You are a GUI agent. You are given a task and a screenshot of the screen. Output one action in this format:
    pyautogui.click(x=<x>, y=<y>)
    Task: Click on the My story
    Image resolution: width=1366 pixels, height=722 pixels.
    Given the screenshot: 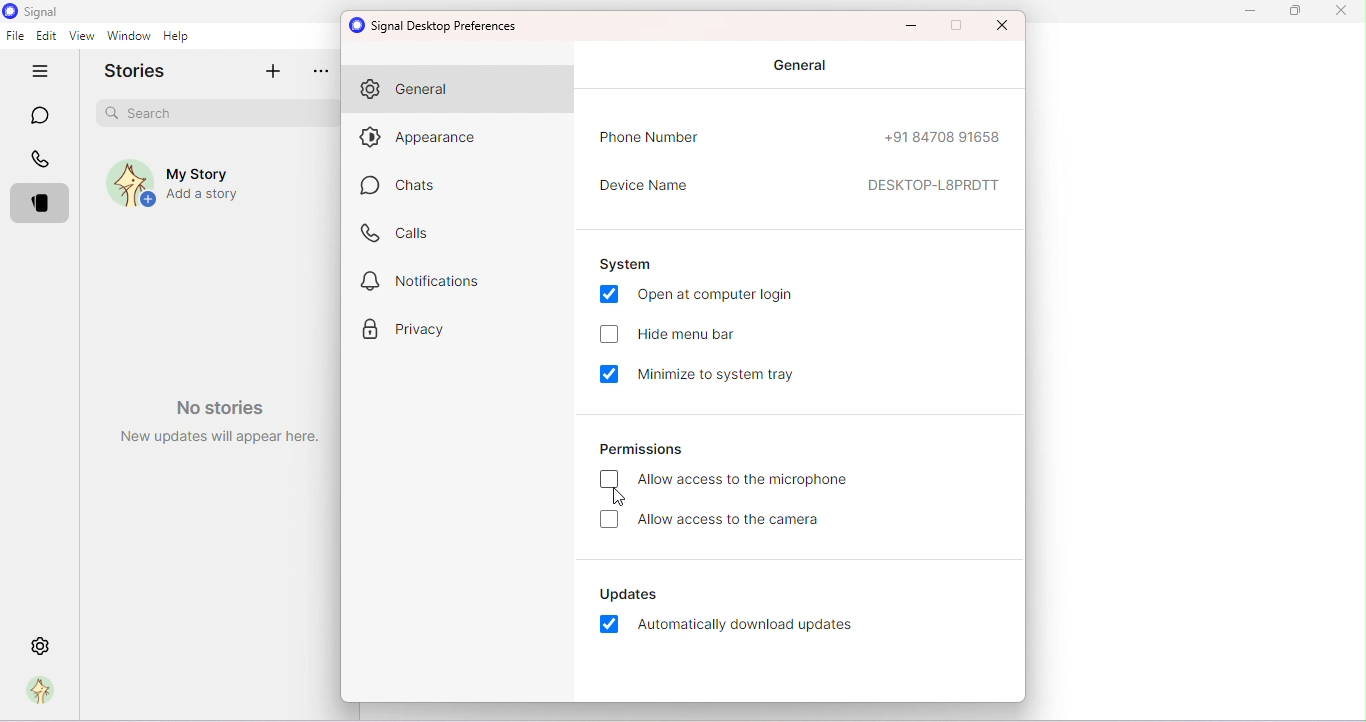 What is the action you would take?
    pyautogui.click(x=182, y=186)
    